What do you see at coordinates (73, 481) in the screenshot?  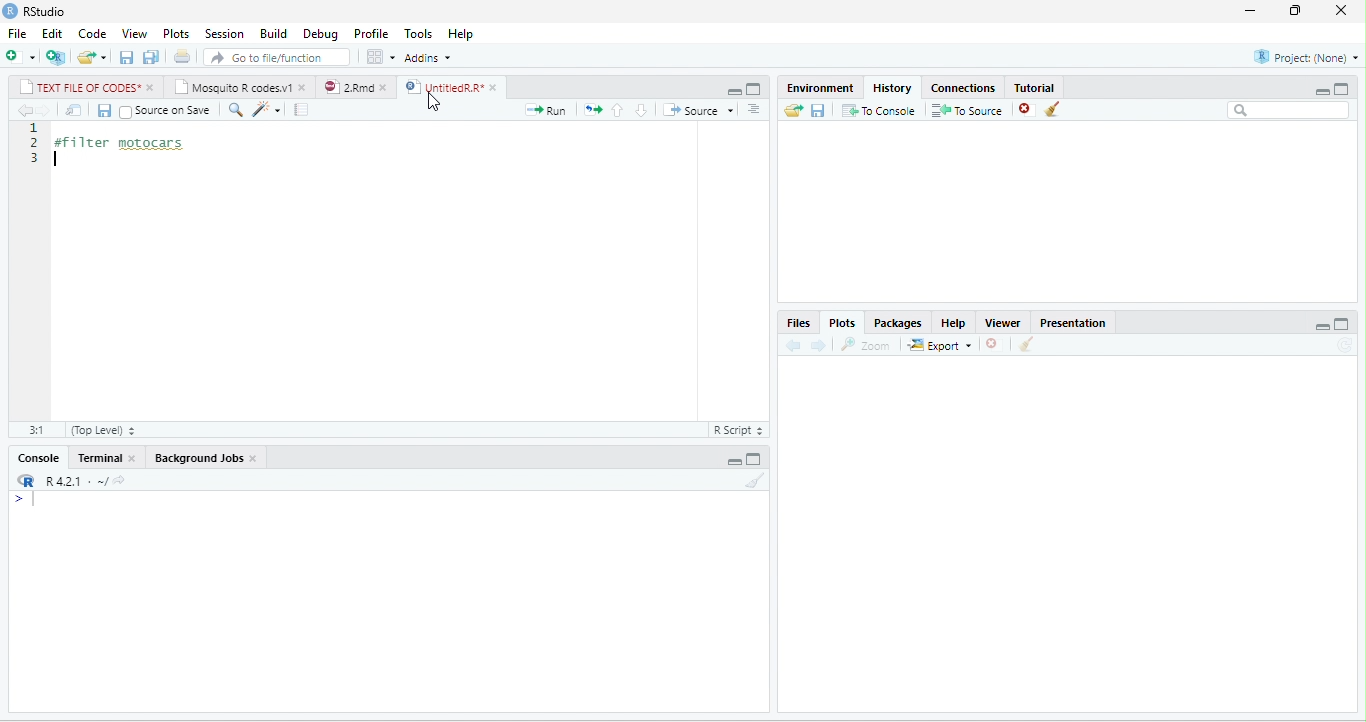 I see `R 4.2.1 ~/` at bounding box center [73, 481].